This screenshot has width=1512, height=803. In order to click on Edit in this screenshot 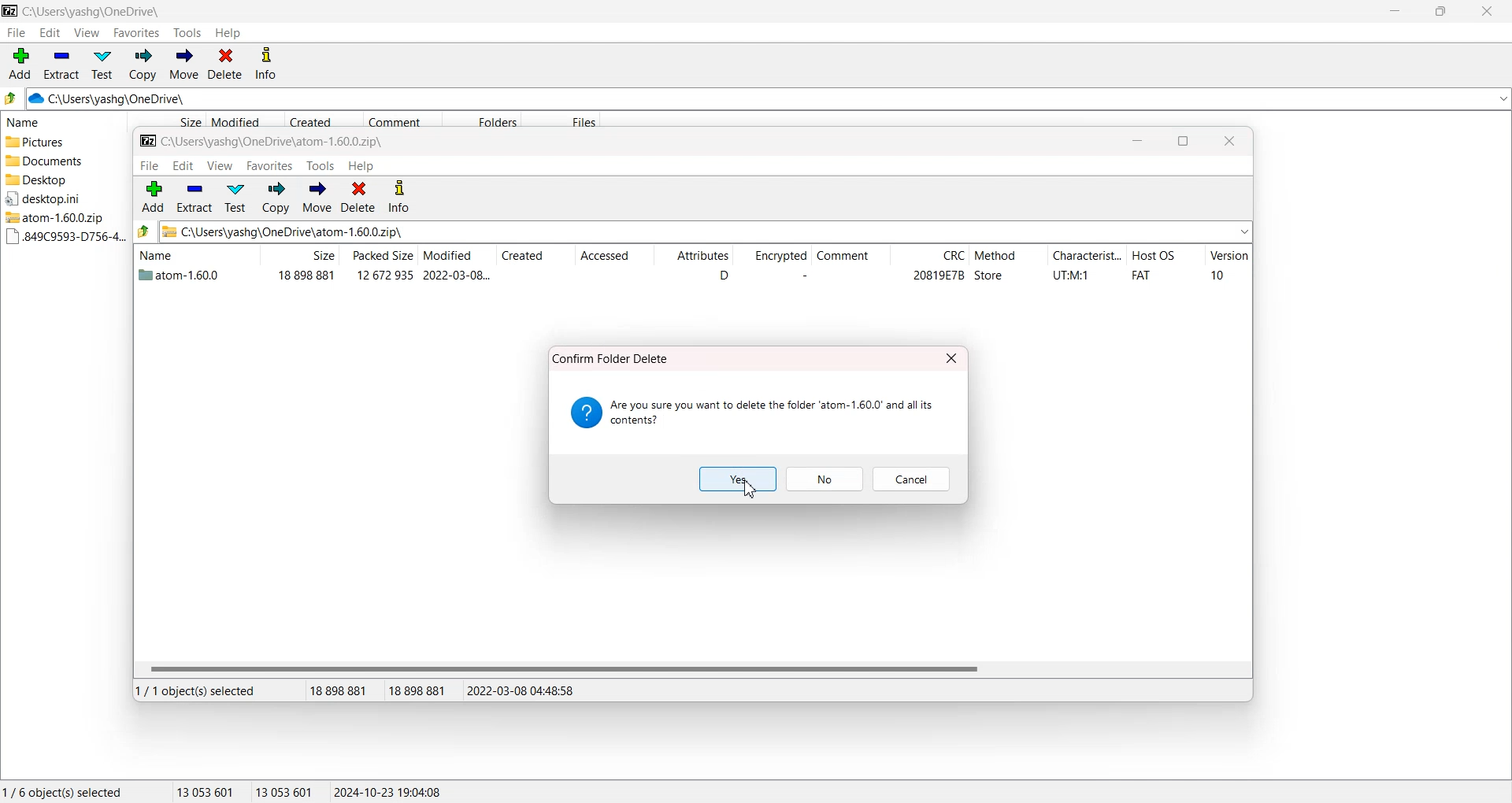, I will do `click(50, 32)`.